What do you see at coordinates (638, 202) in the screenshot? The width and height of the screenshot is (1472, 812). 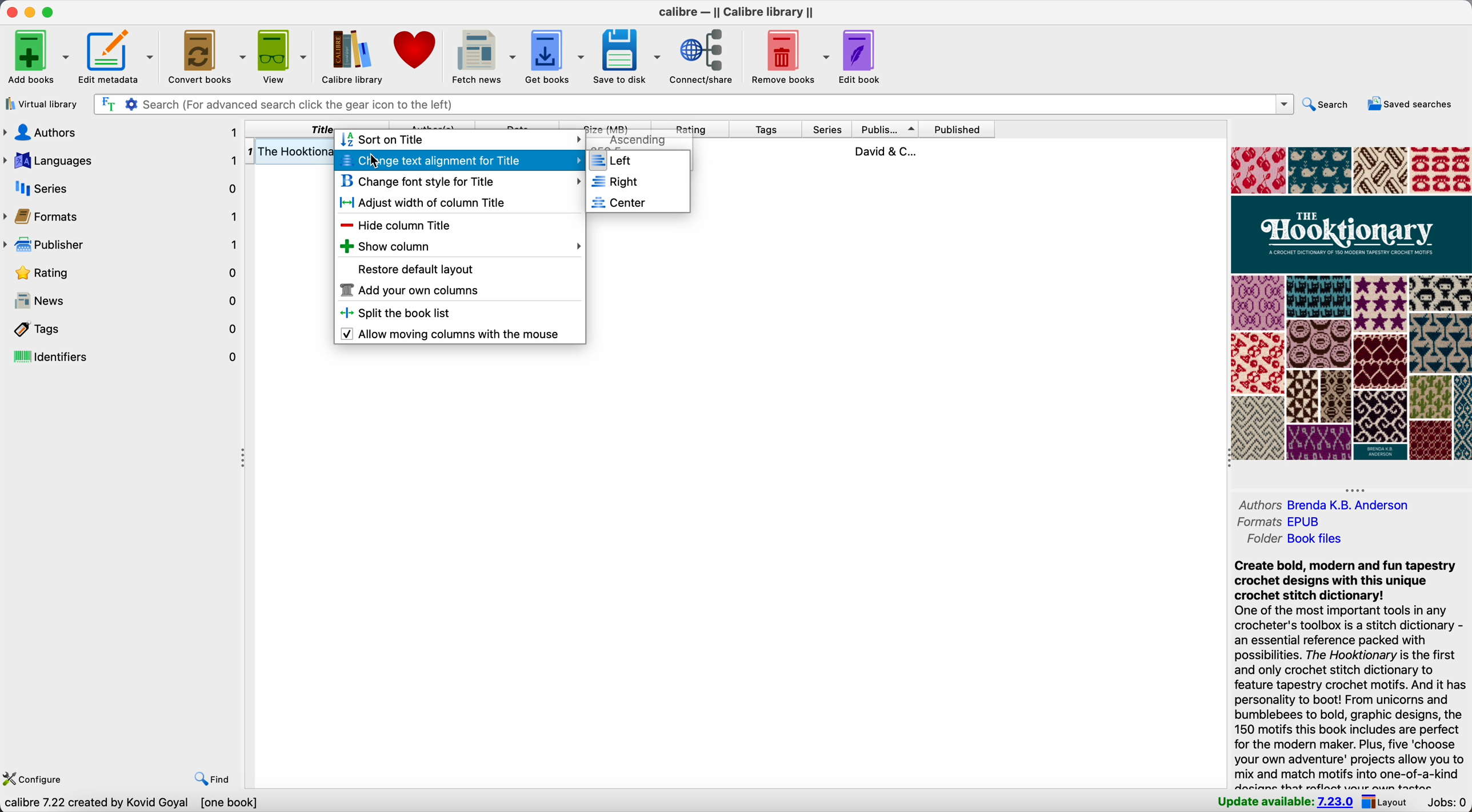 I see `center` at bounding box center [638, 202].